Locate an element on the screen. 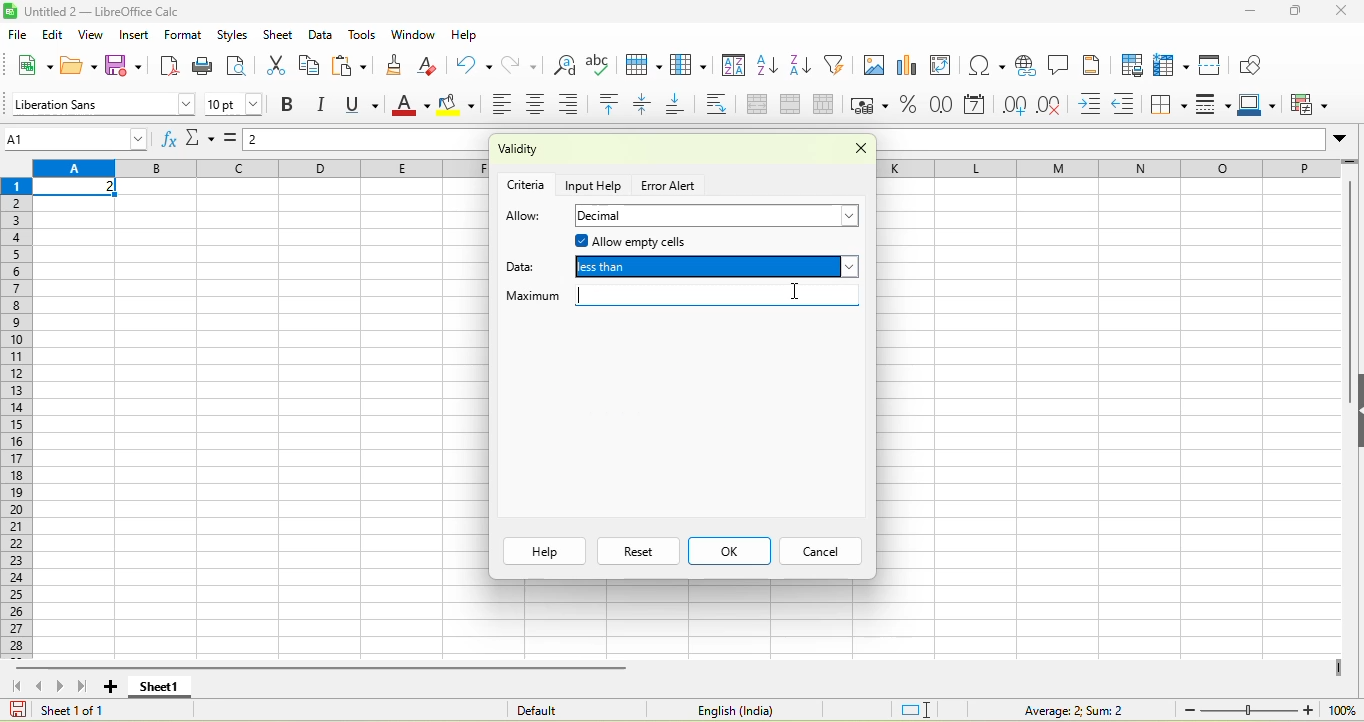 This screenshot has height=722, width=1364. rows and column is located at coordinates (1173, 65).